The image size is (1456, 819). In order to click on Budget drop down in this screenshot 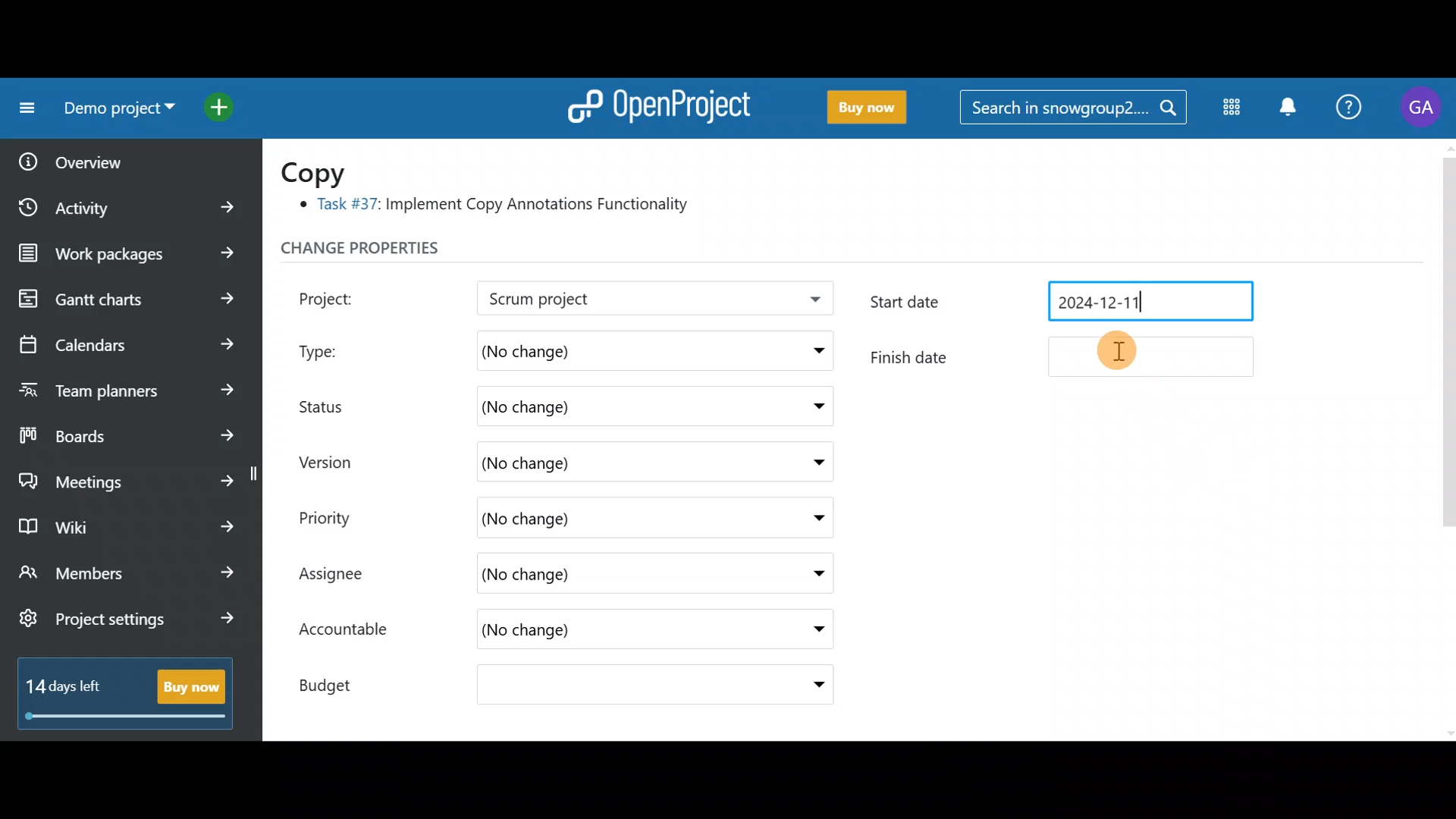, I will do `click(809, 685)`.